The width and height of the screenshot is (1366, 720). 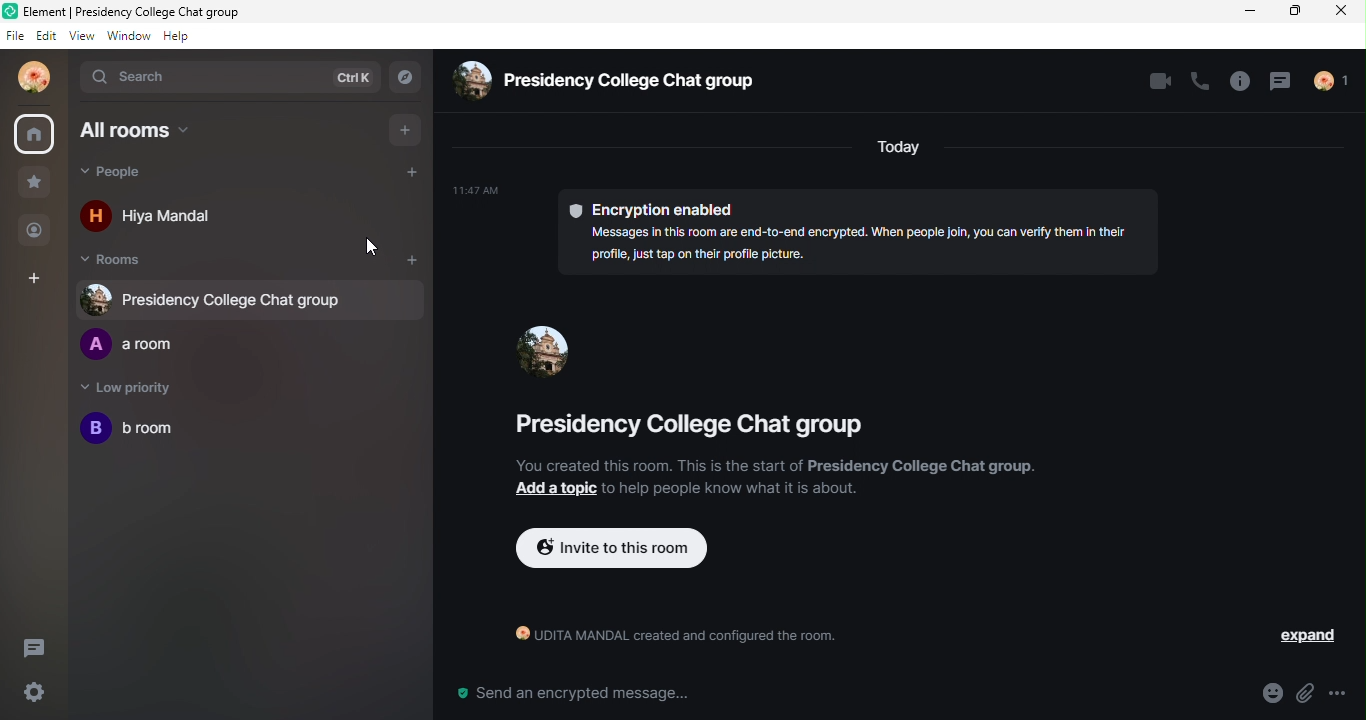 I want to click on You created this room. This is the start of Presidency College of Chat group., so click(x=771, y=466).